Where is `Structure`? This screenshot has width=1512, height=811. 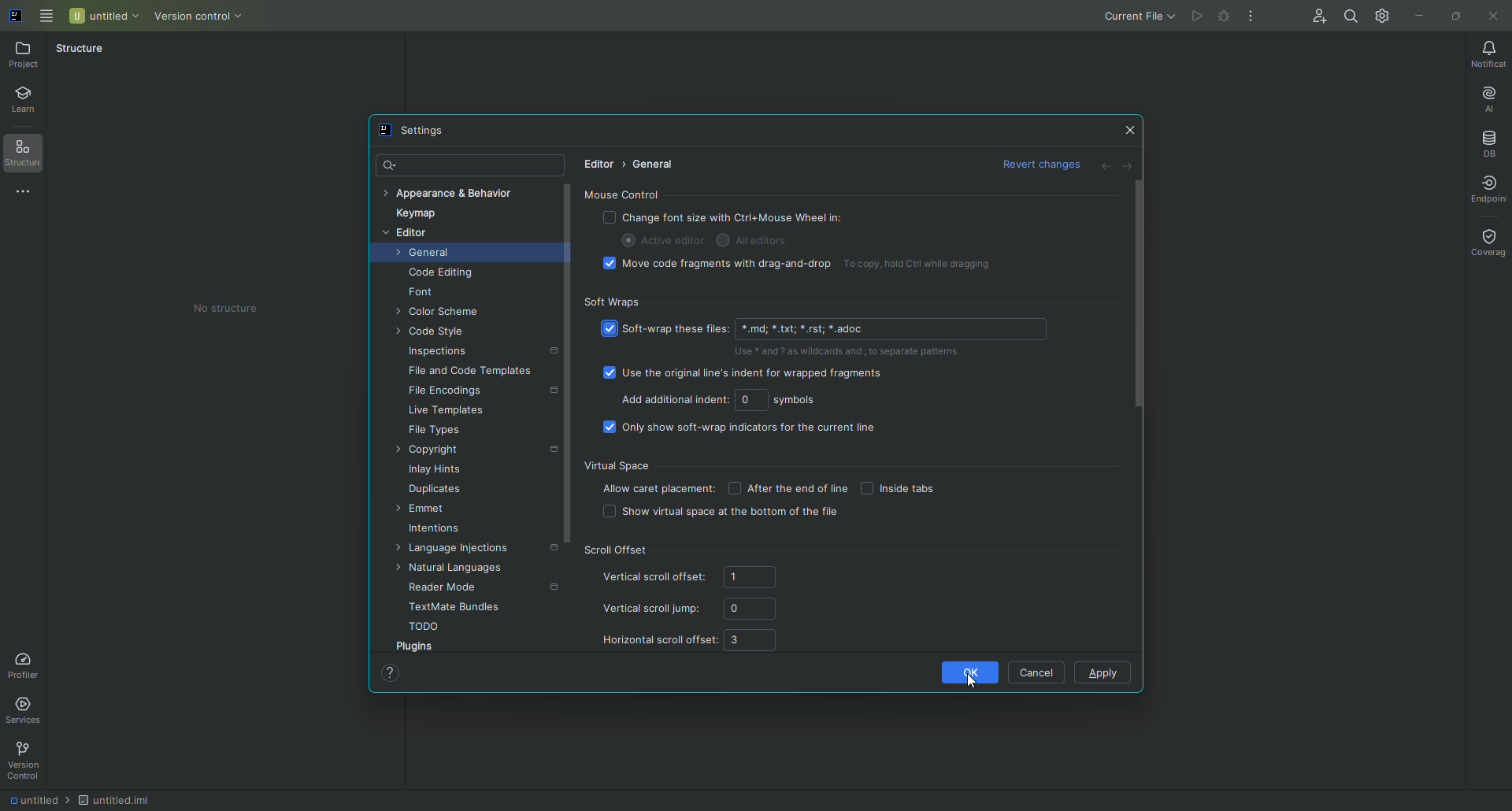
Structure is located at coordinates (88, 52).